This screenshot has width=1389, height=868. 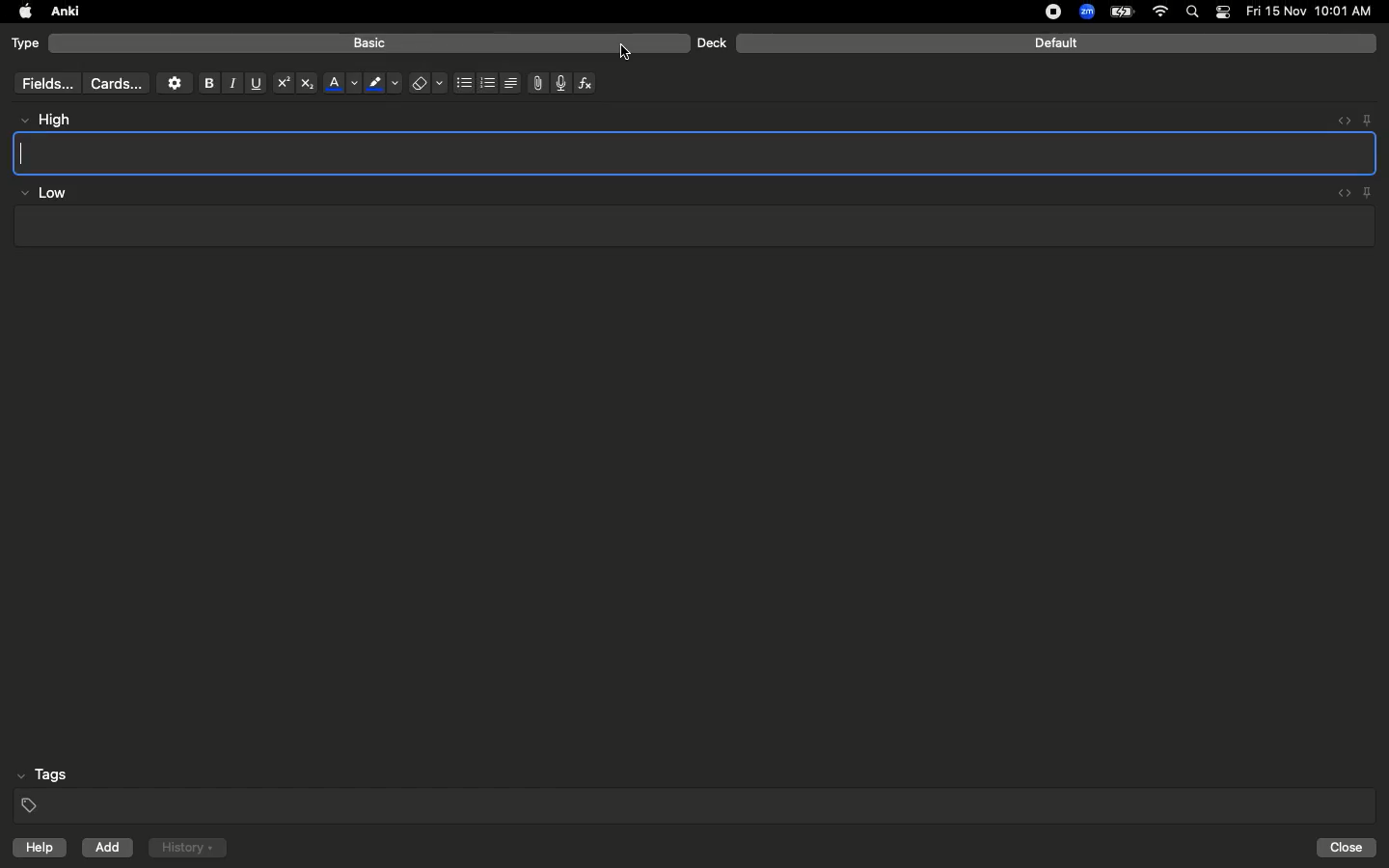 I want to click on Embed, so click(x=1340, y=194).